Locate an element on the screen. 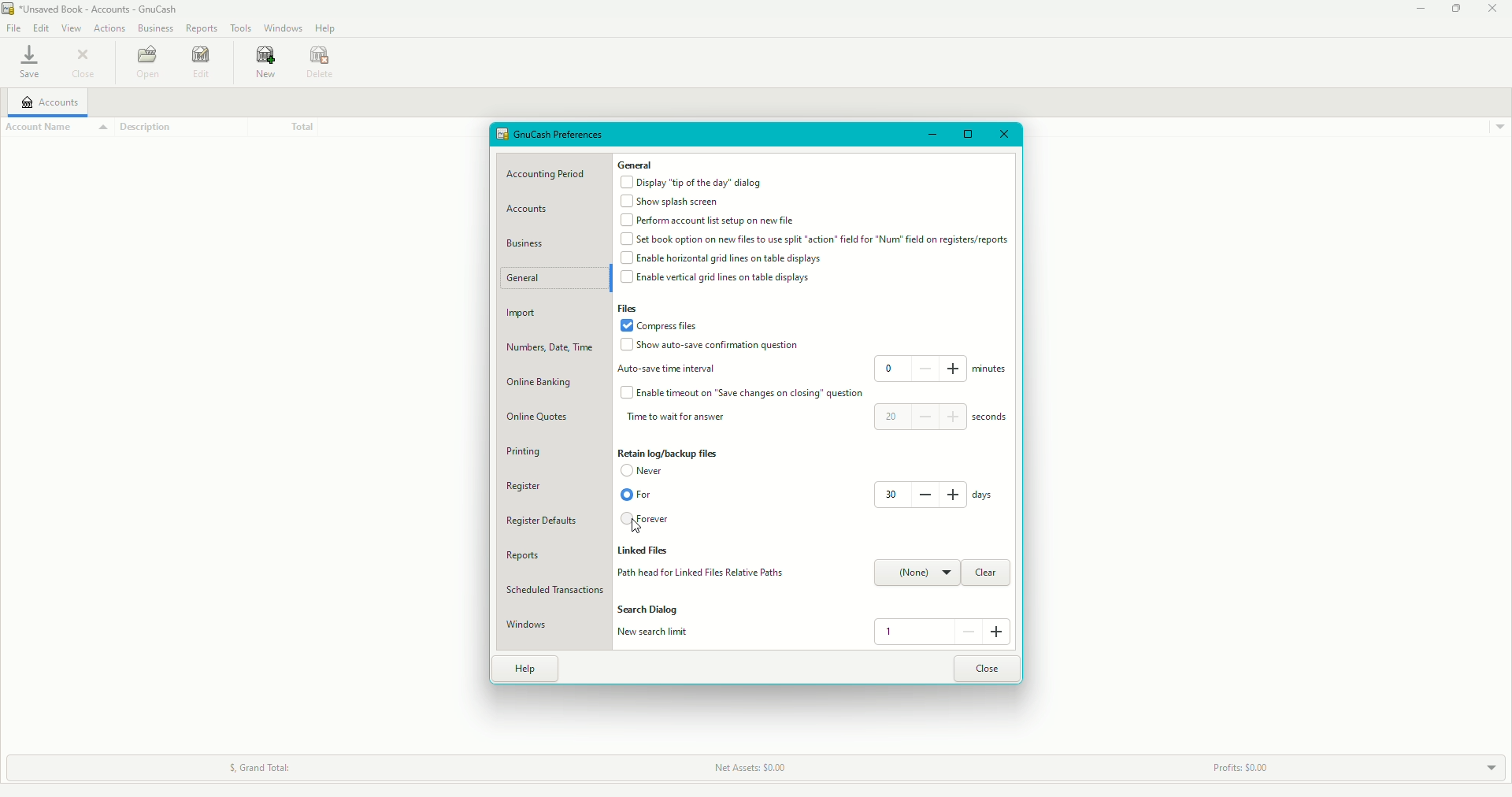 The width and height of the screenshot is (1512, 797). General is located at coordinates (533, 280).